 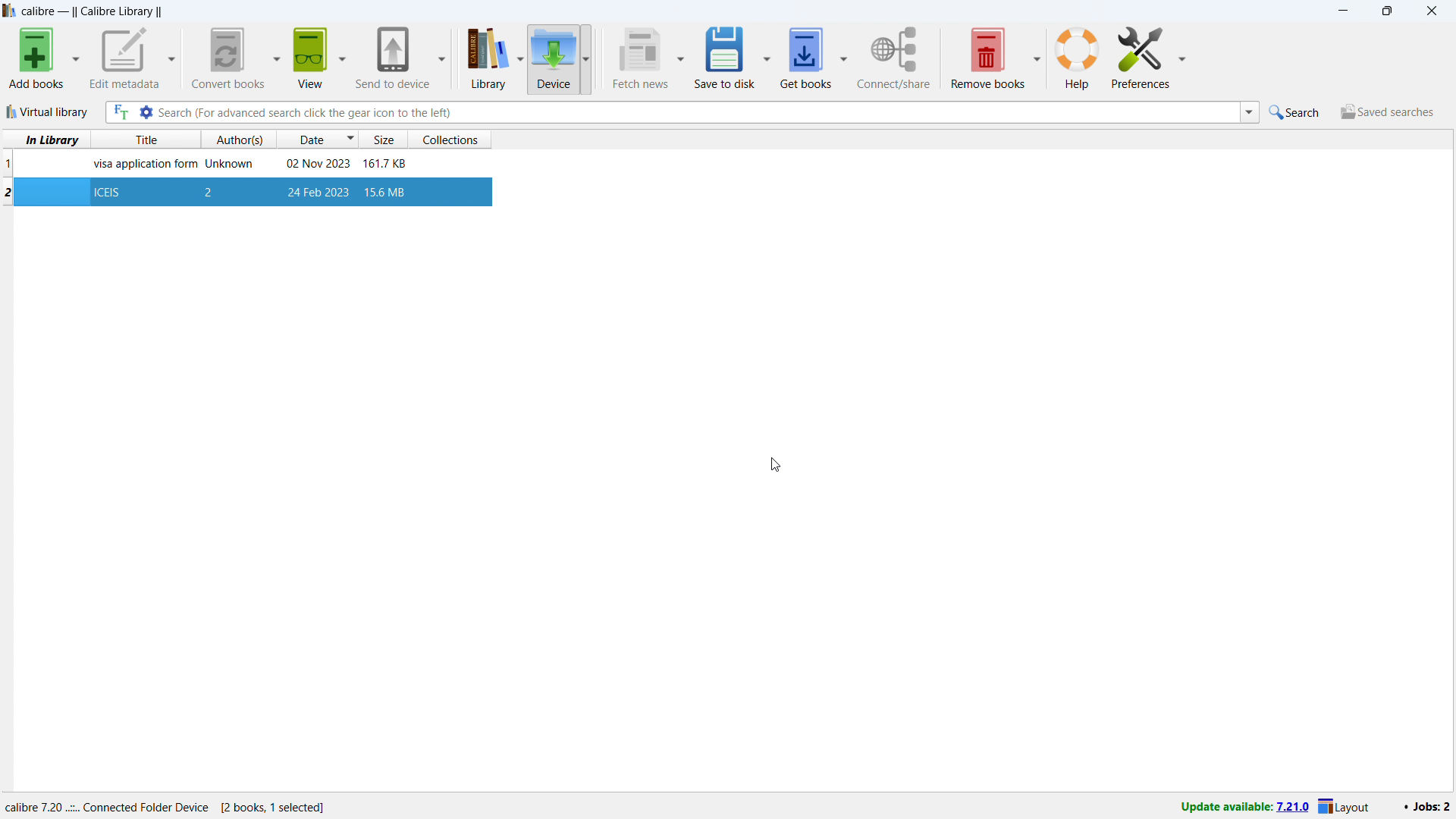 What do you see at coordinates (35, 59) in the screenshot?
I see `Add books` at bounding box center [35, 59].